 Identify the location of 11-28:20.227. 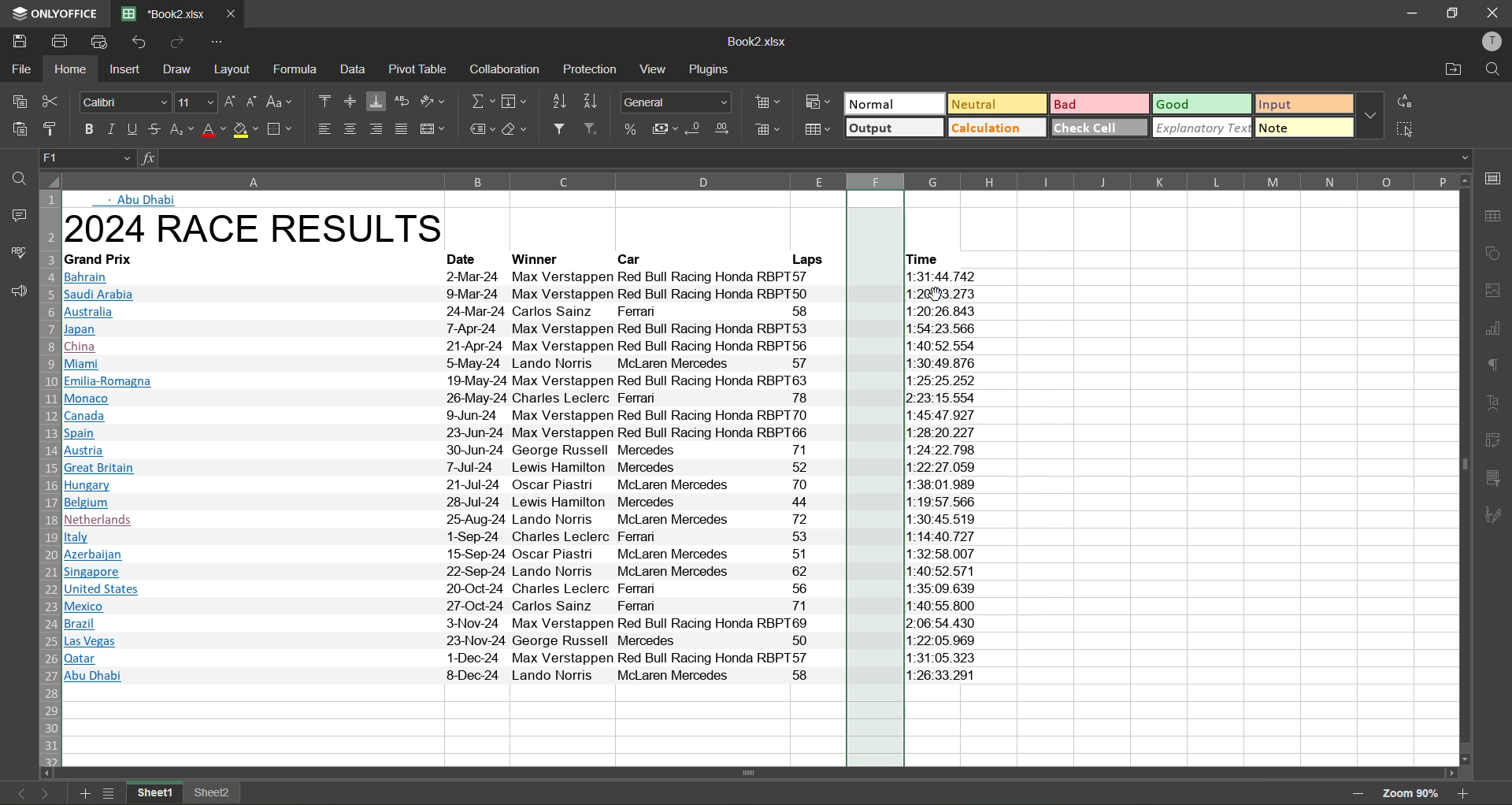
(944, 432).